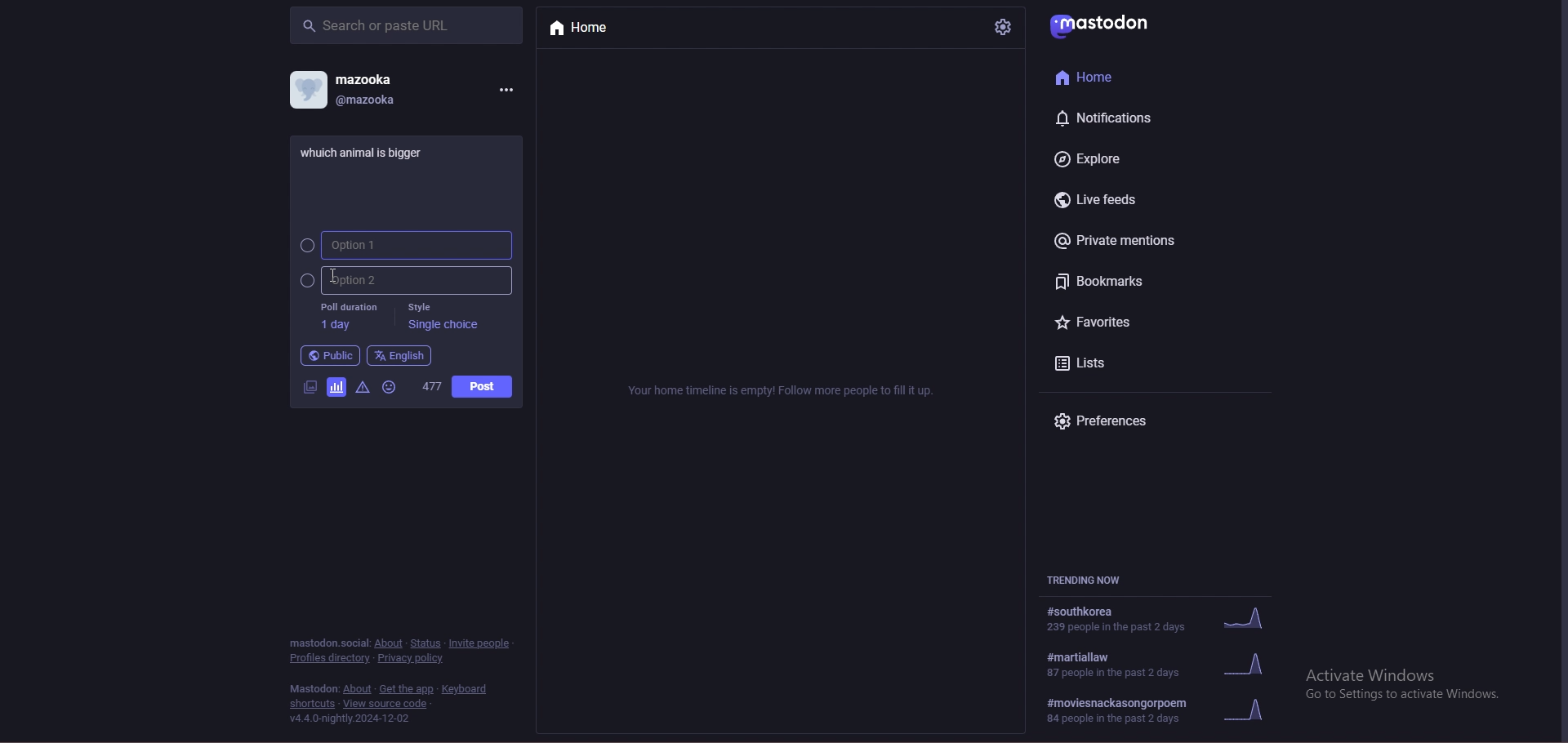  Describe the element at coordinates (506, 88) in the screenshot. I see `menu` at that location.